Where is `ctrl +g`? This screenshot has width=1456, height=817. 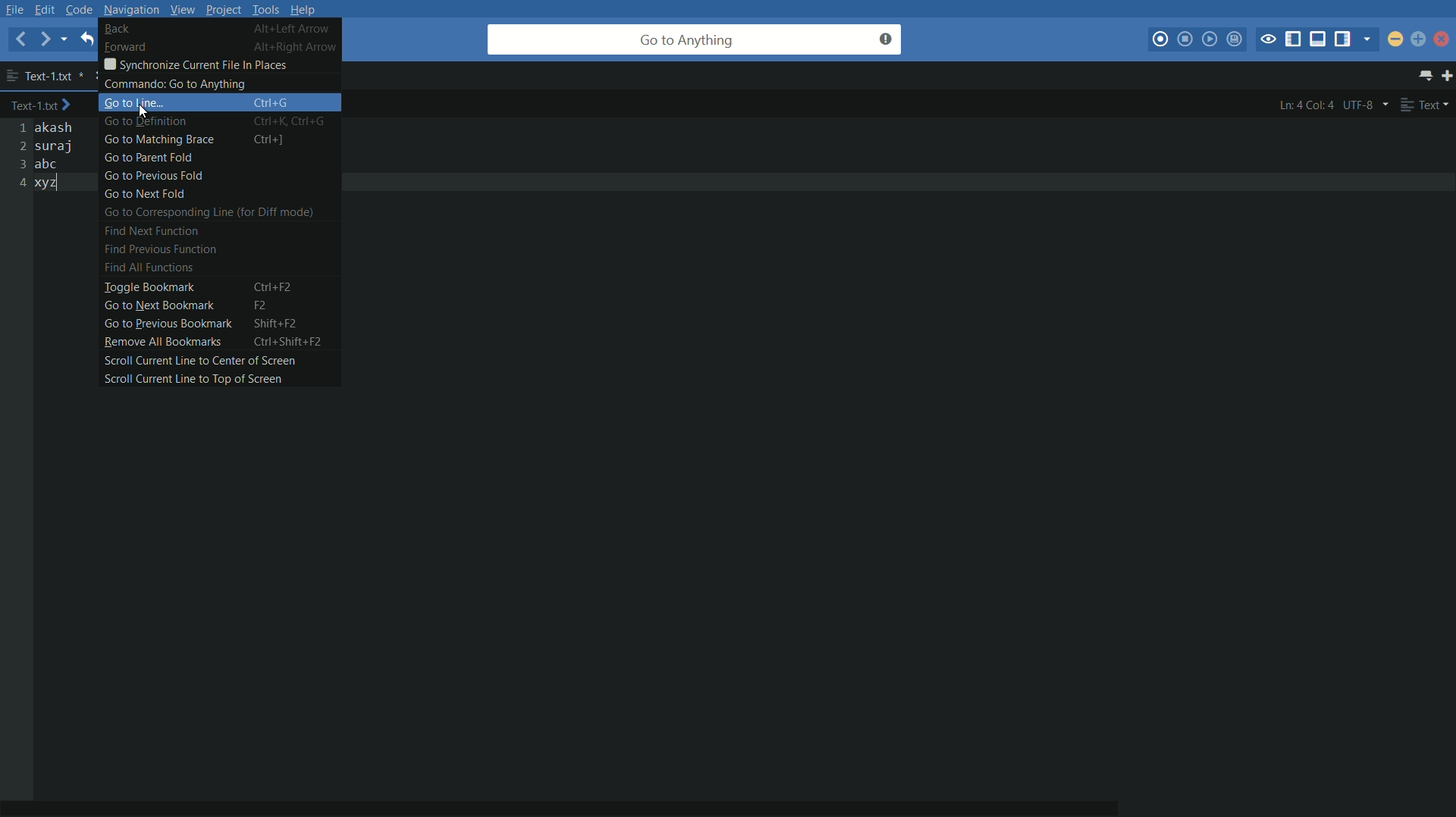 ctrl +g is located at coordinates (275, 104).